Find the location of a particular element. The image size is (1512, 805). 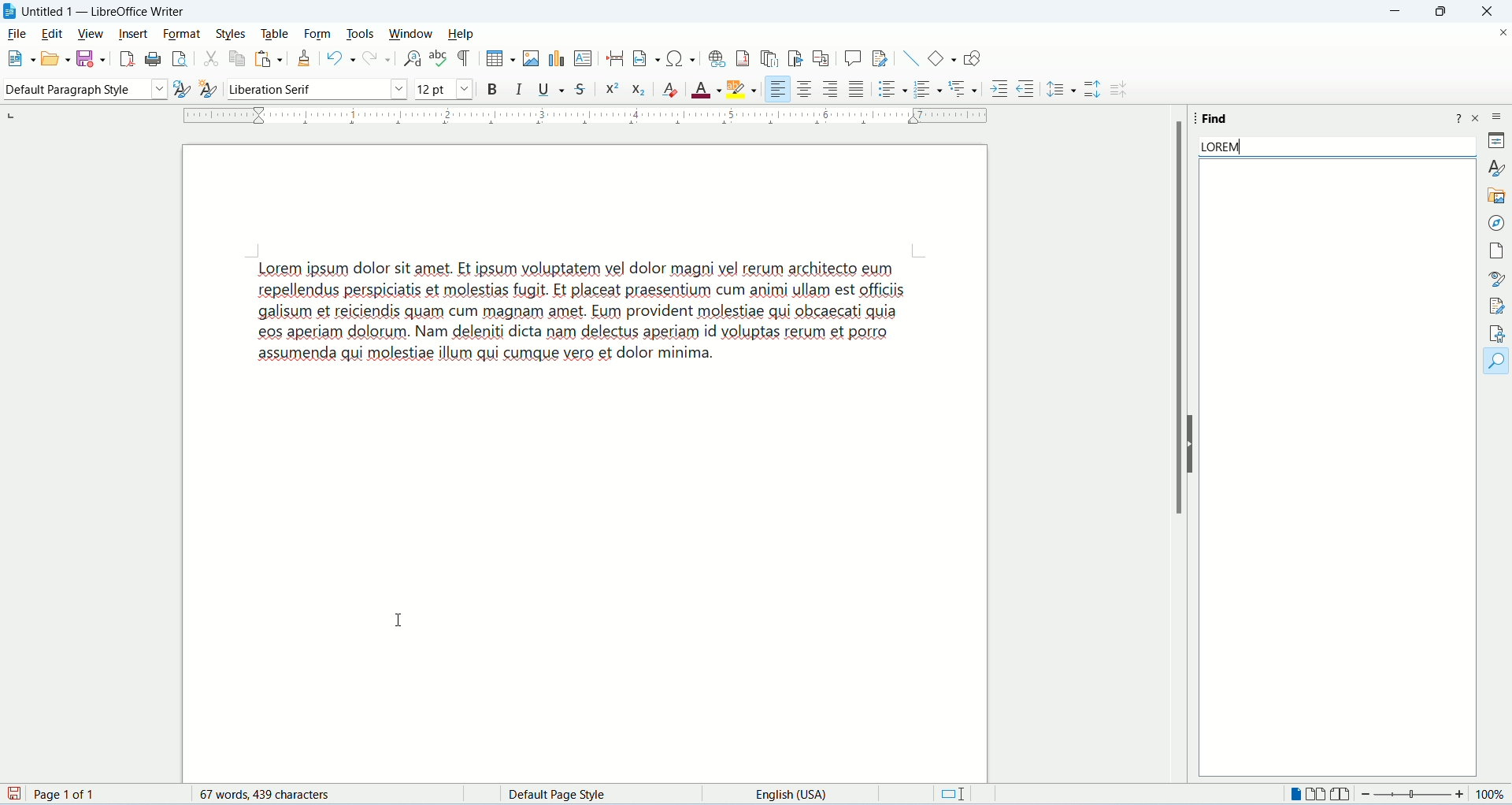

scroll bar is located at coordinates (1178, 317).